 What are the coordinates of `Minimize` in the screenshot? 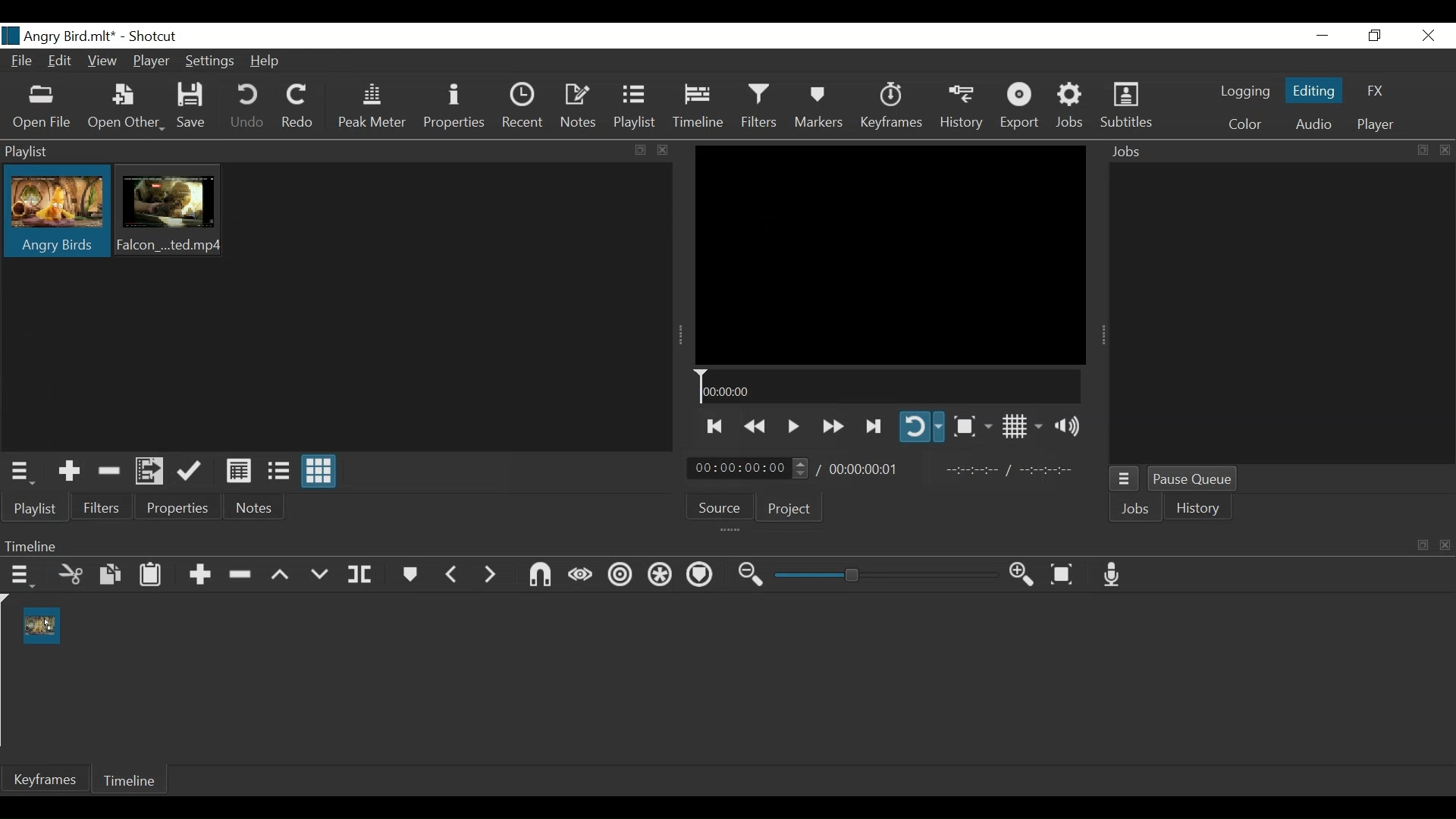 It's located at (1323, 36).